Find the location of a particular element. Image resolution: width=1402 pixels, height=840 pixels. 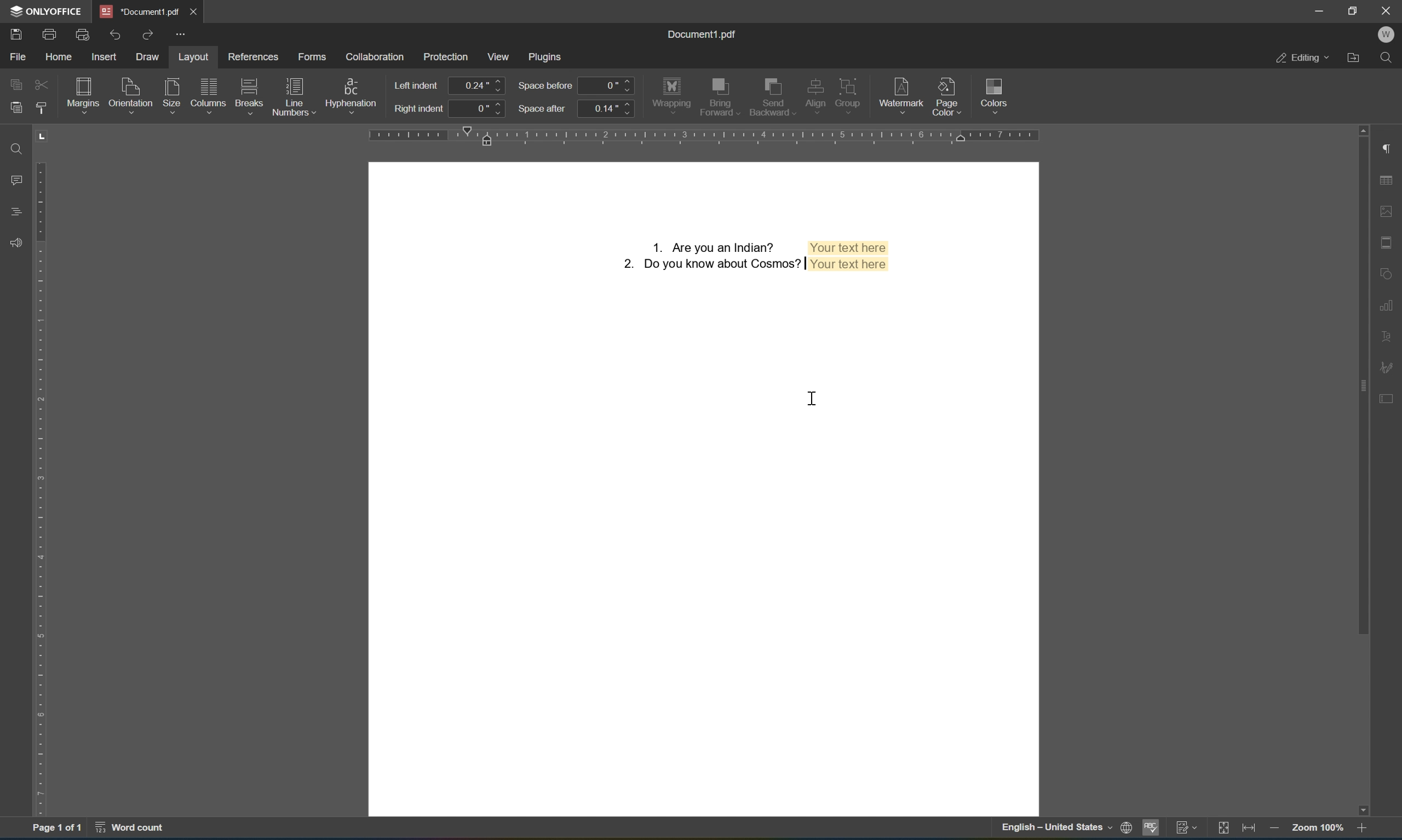

signature settings is located at coordinates (1390, 367).